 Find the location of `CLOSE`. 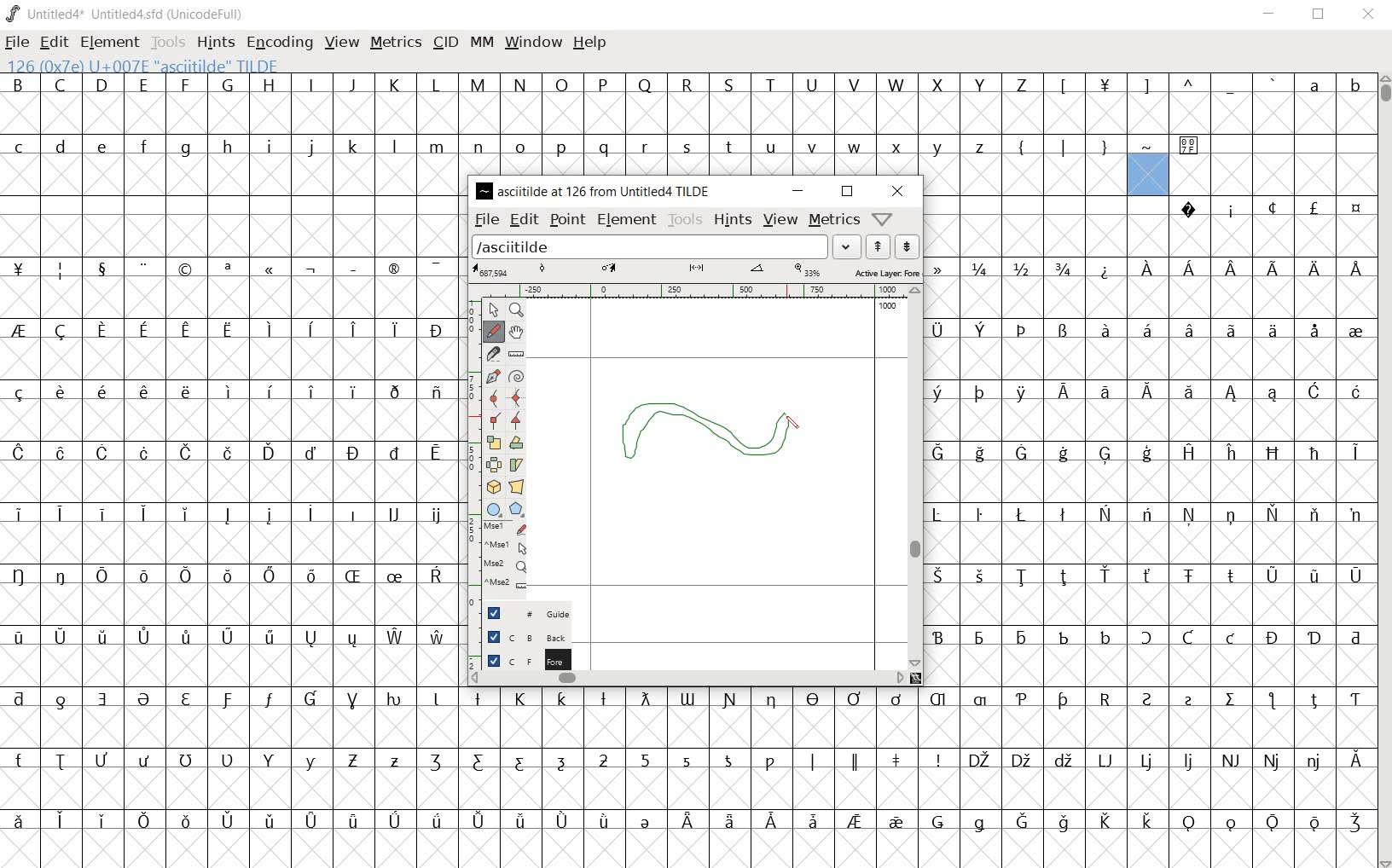

CLOSE is located at coordinates (1368, 14).